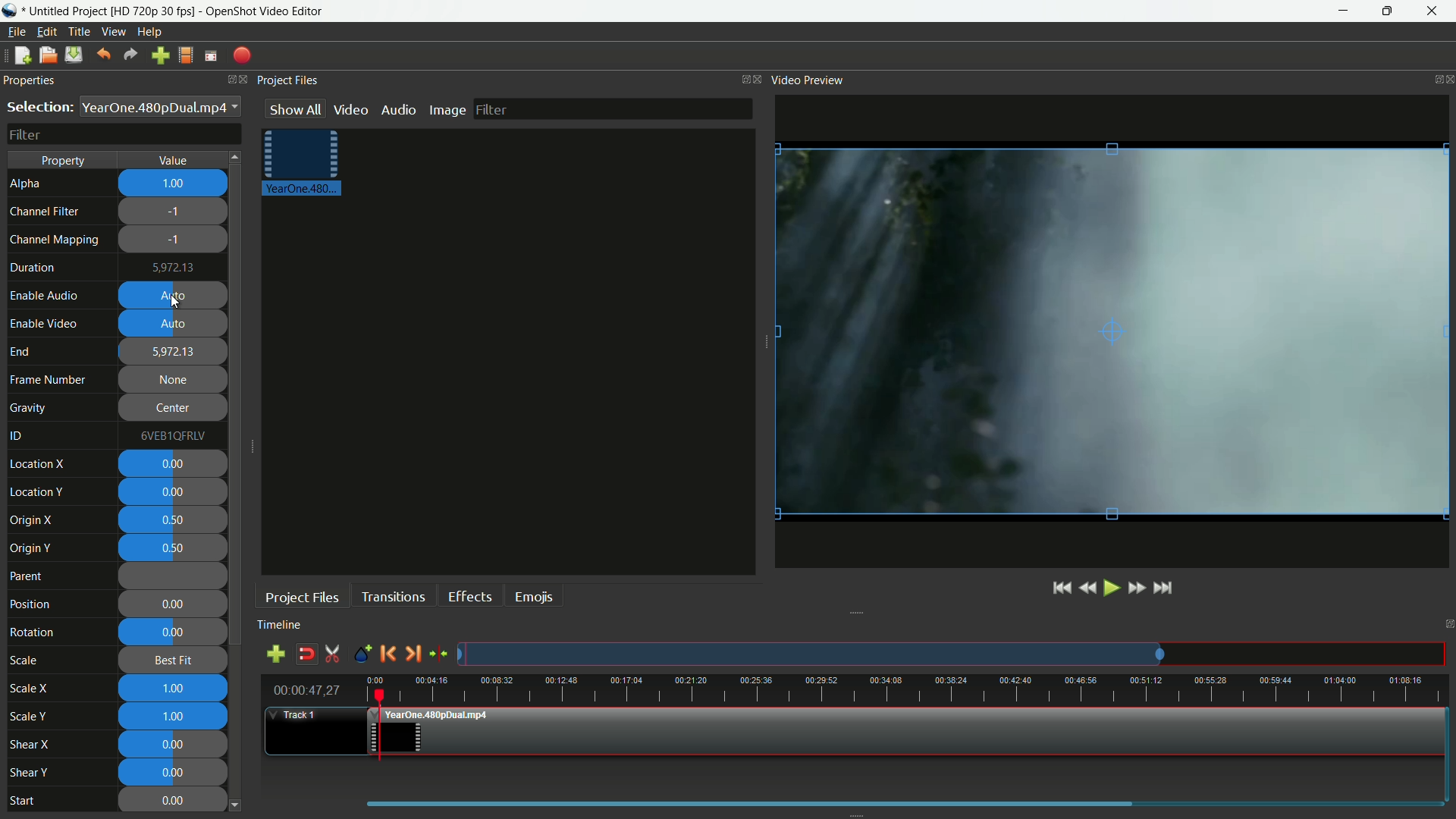  Describe the element at coordinates (211, 55) in the screenshot. I see `full screen` at that location.